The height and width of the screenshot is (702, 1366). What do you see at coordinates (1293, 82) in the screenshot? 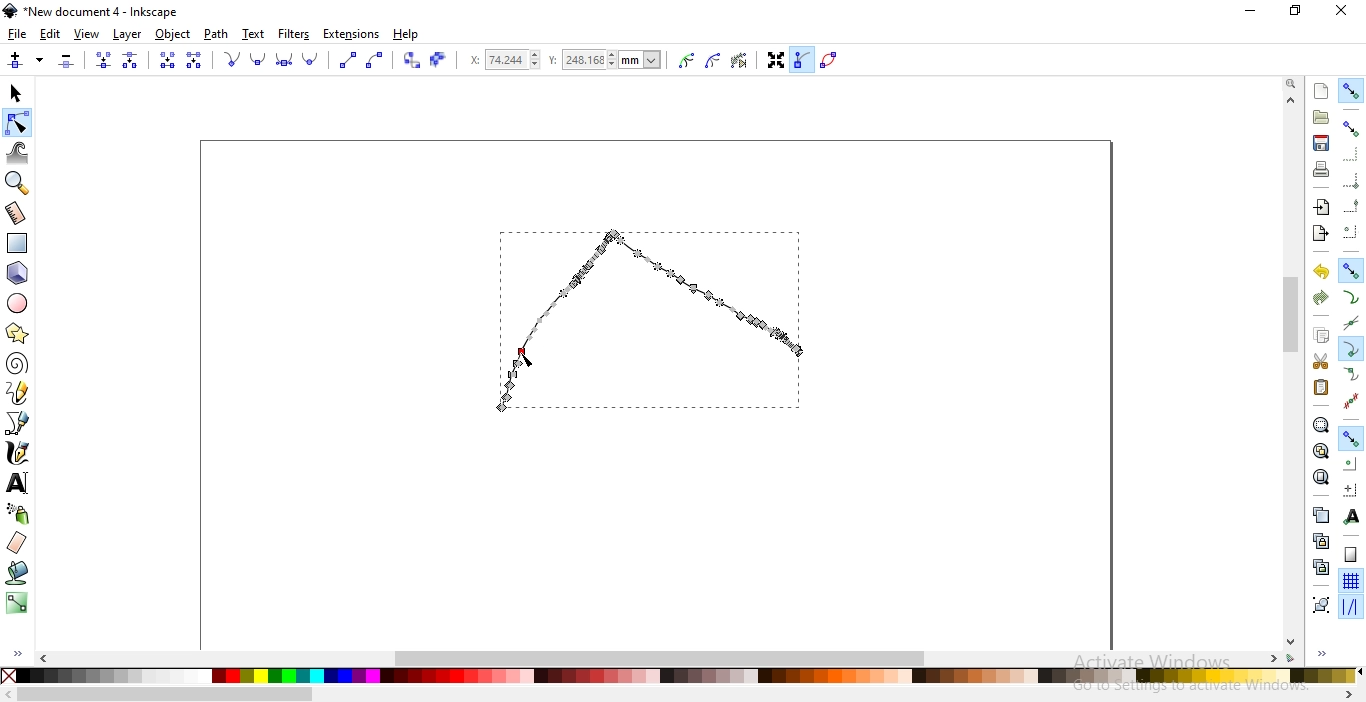
I see `zoom` at bounding box center [1293, 82].